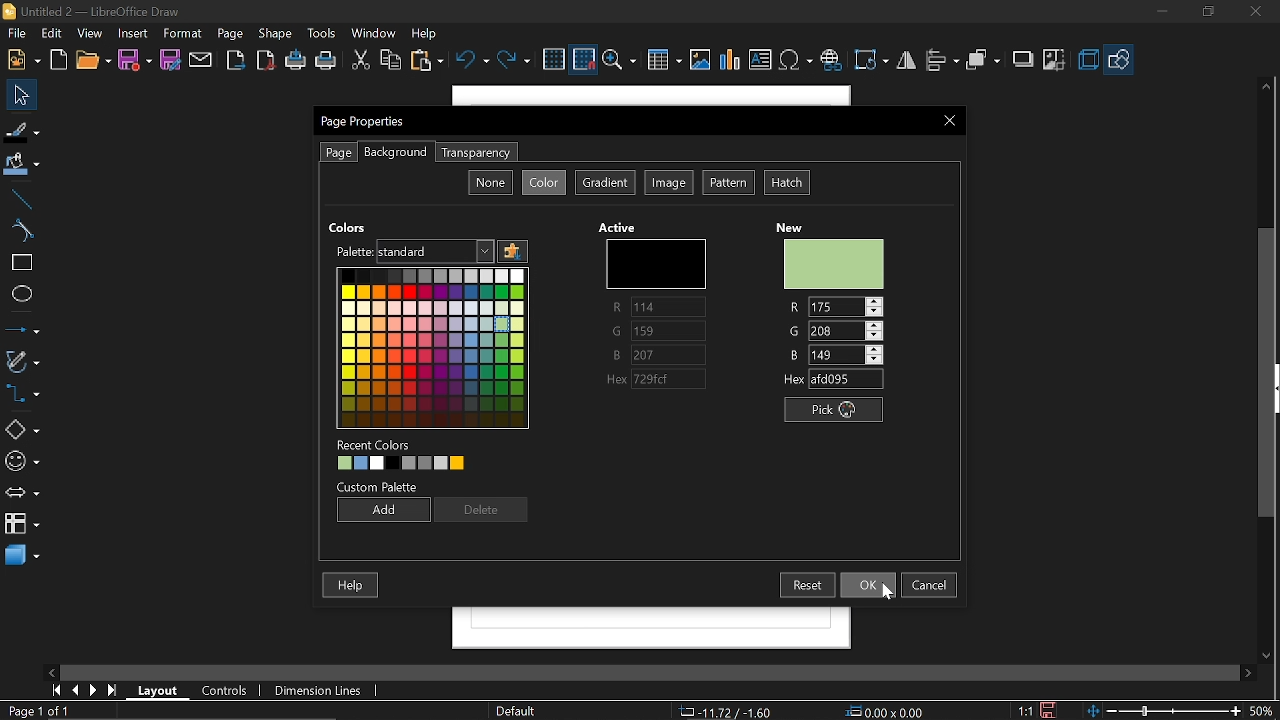 The image size is (1280, 720). I want to click on Line, so click(19, 200).